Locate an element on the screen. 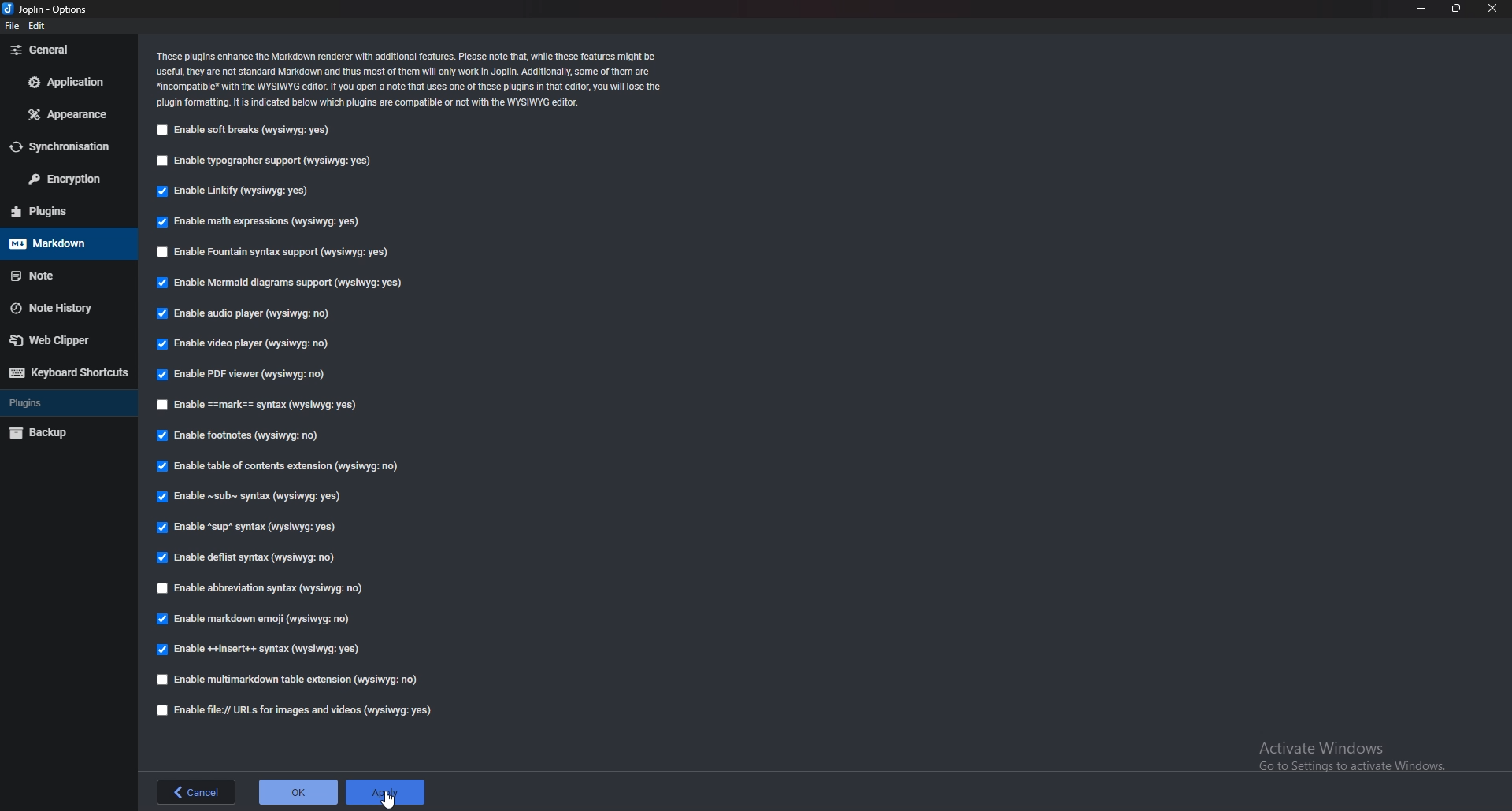  Enable table of contents extension is located at coordinates (280, 469).